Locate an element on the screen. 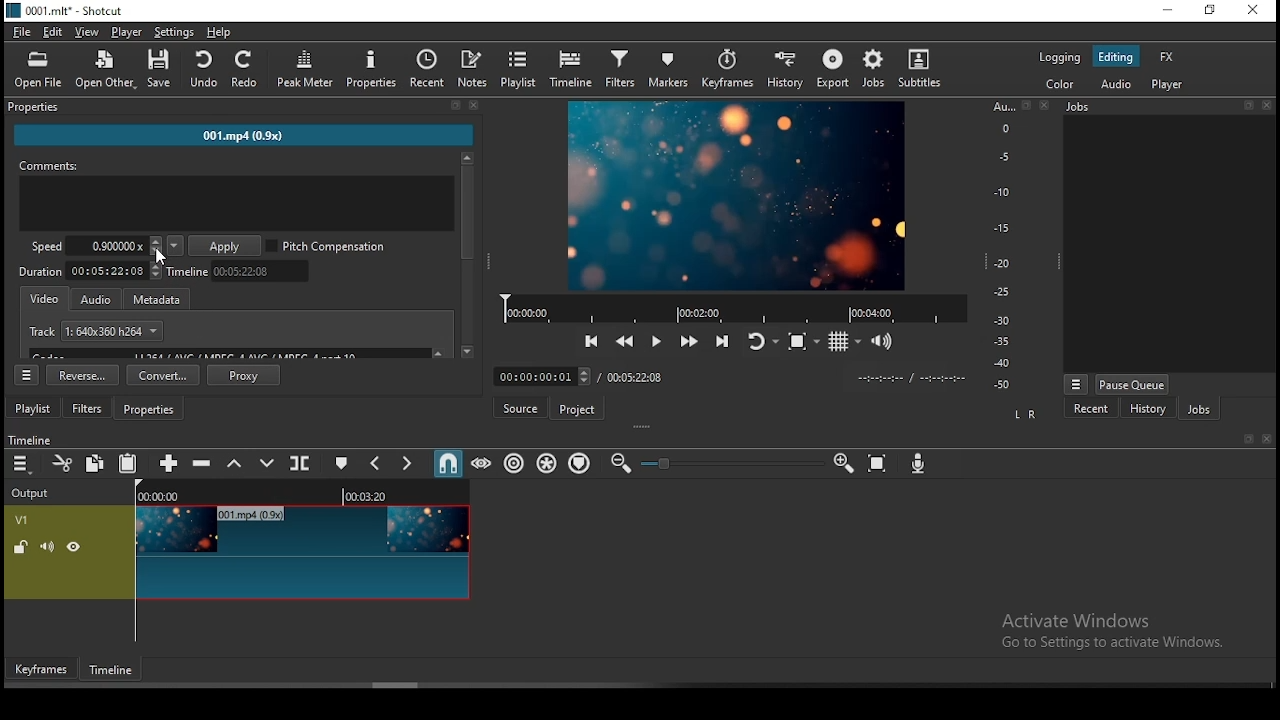 Image resolution: width=1280 pixels, height=720 pixels. audio is located at coordinates (94, 299).